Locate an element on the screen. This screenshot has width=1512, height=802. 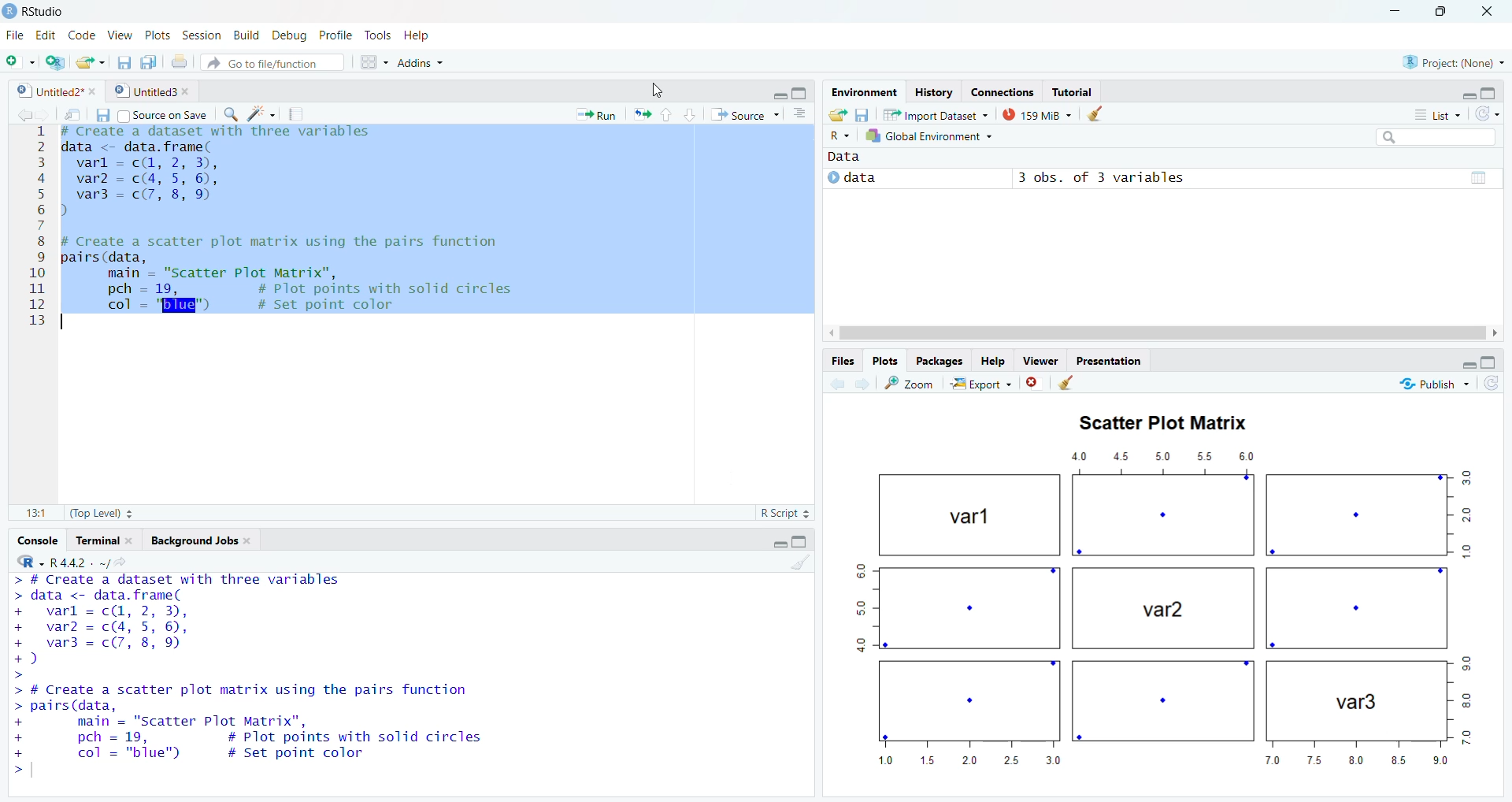
Maximize is located at coordinates (1447, 16).